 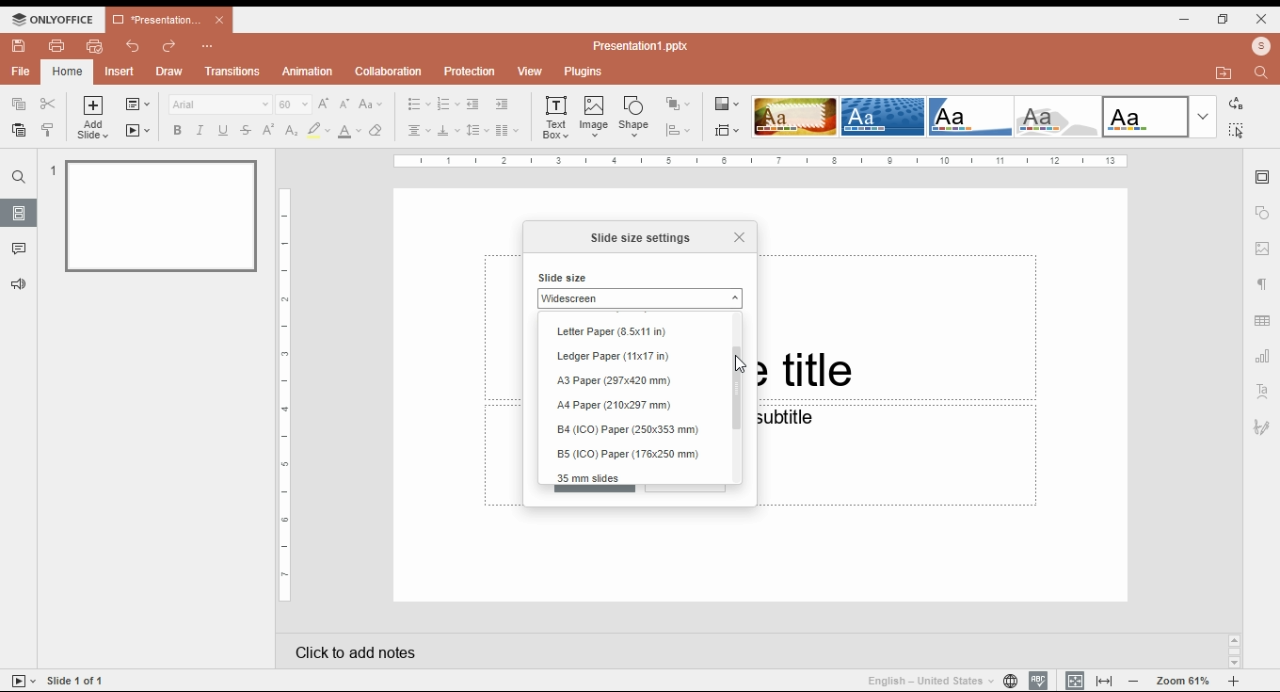 I want to click on start slide show, so click(x=24, y=681).